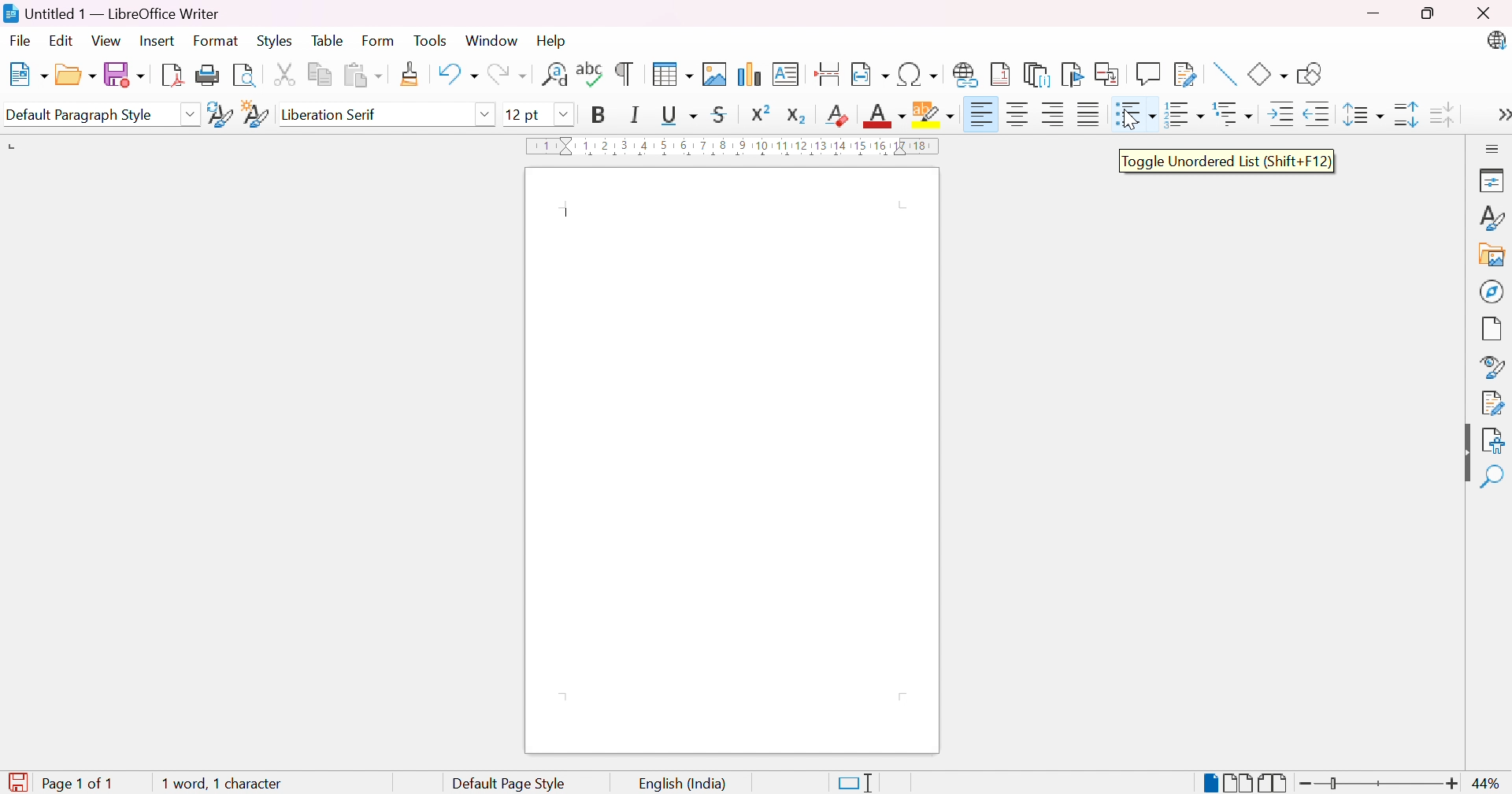  What do you see at coordinates (1503, 117) in the screenshot?
I see `More` at bounding box center [1503, 117].